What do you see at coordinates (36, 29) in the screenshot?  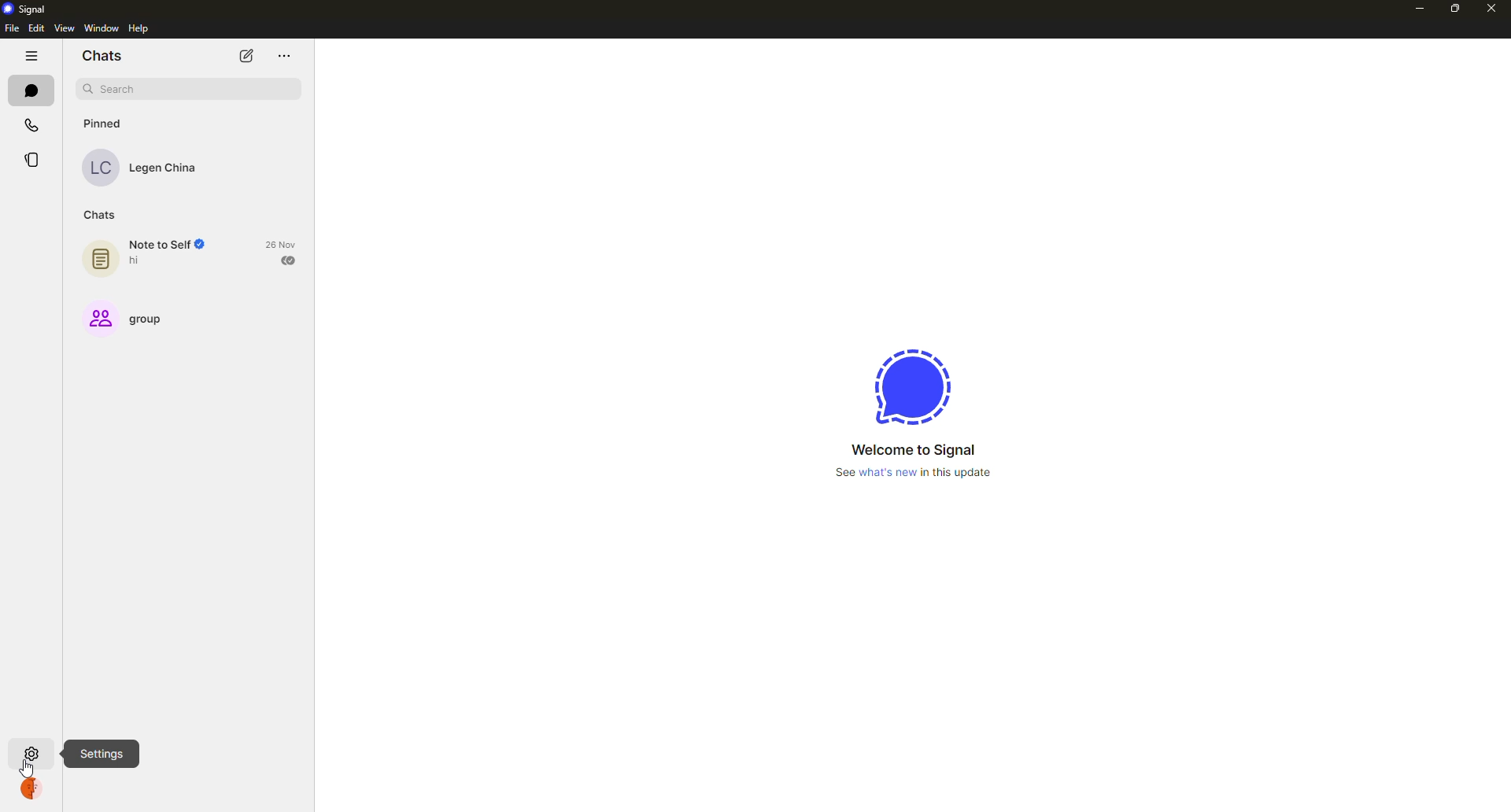 I see `edit` at bounding box center [36, 29].